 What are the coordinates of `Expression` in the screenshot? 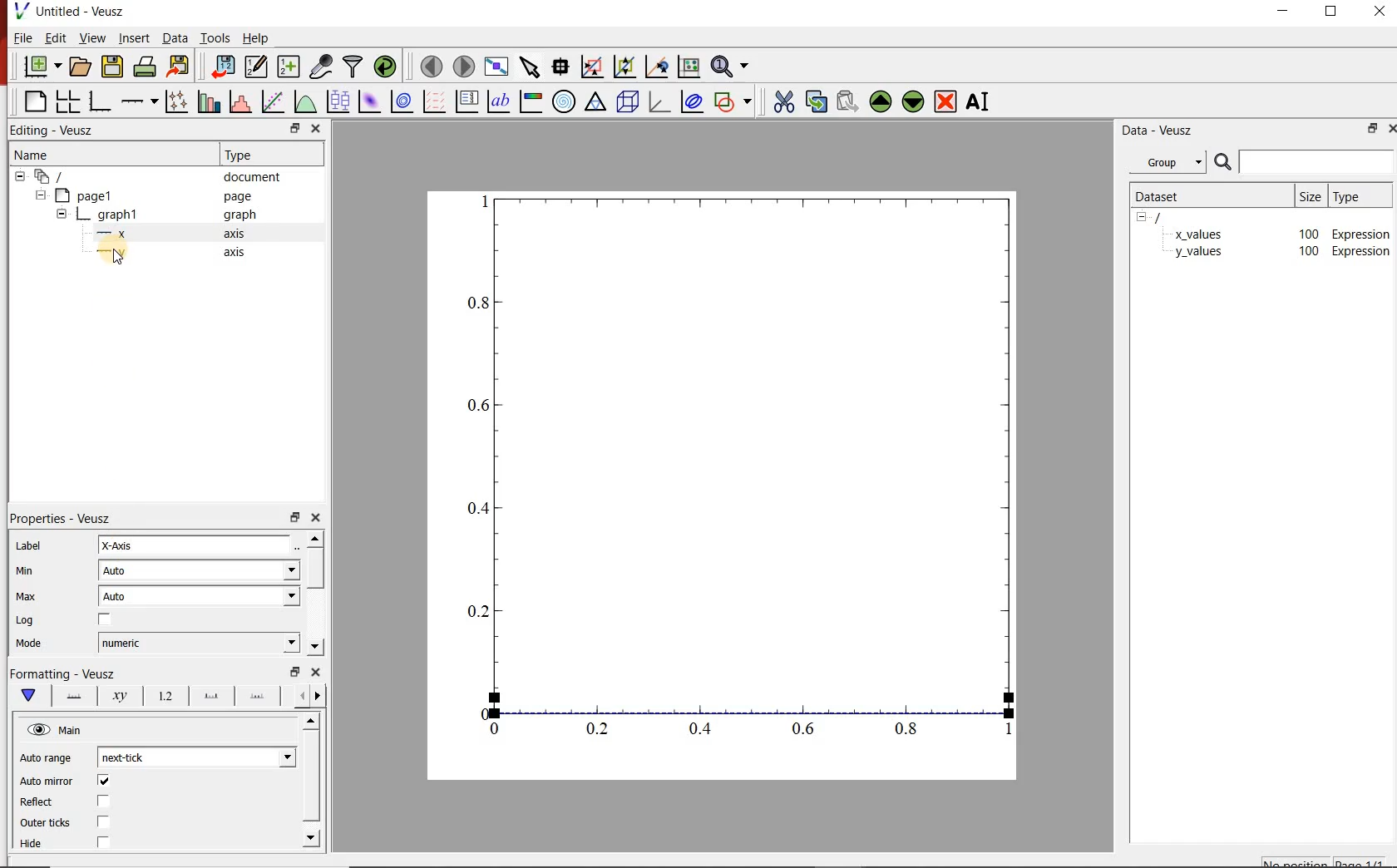 It's located at (1362, 232).